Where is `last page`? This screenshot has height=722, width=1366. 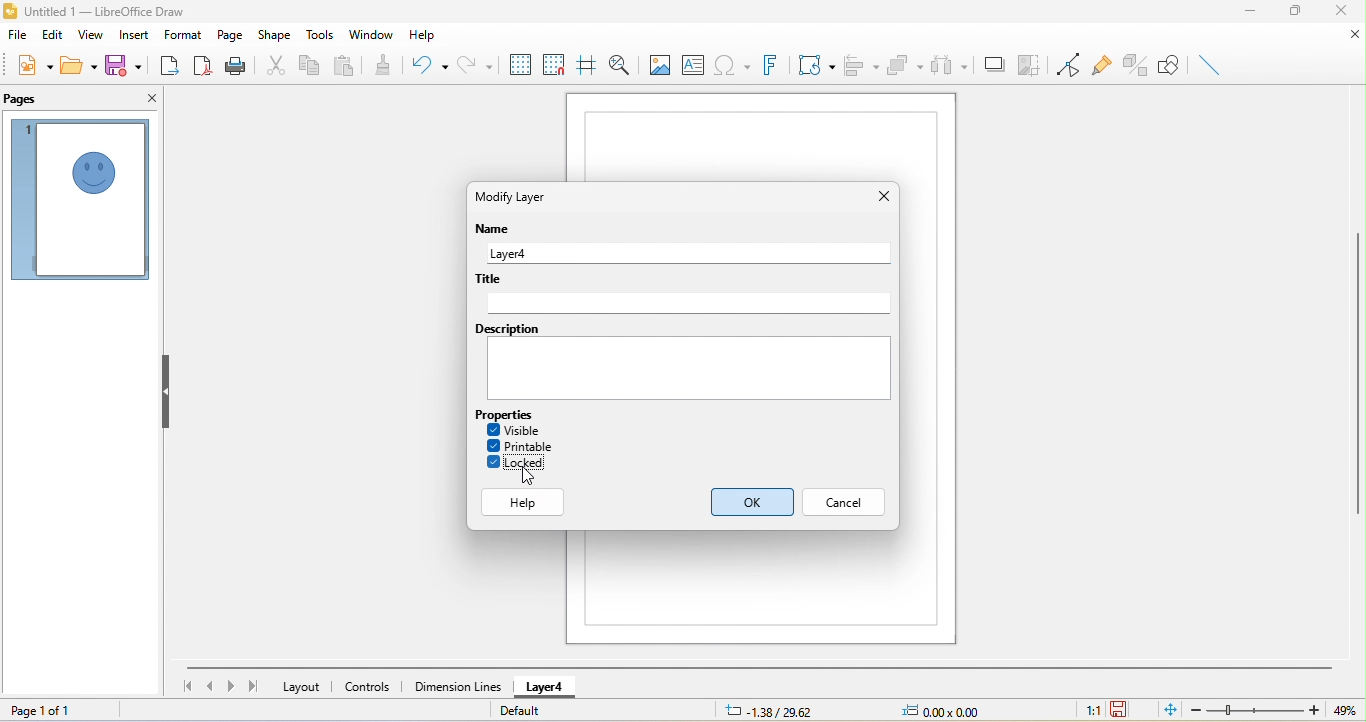
last page is located at coordinates (251, 685).